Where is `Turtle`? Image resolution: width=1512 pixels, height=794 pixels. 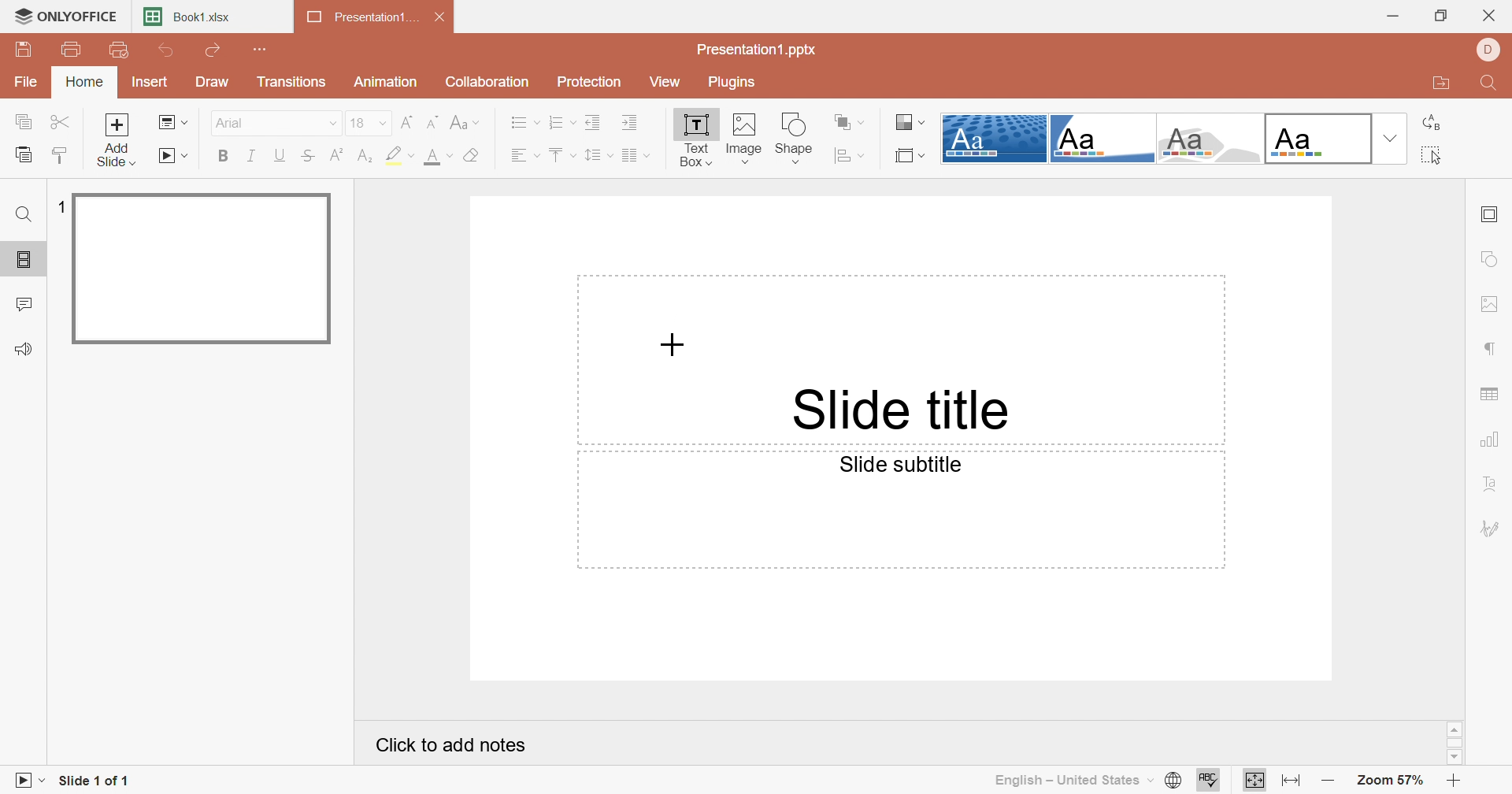 Turtle is located at coordinates (1208, 139).